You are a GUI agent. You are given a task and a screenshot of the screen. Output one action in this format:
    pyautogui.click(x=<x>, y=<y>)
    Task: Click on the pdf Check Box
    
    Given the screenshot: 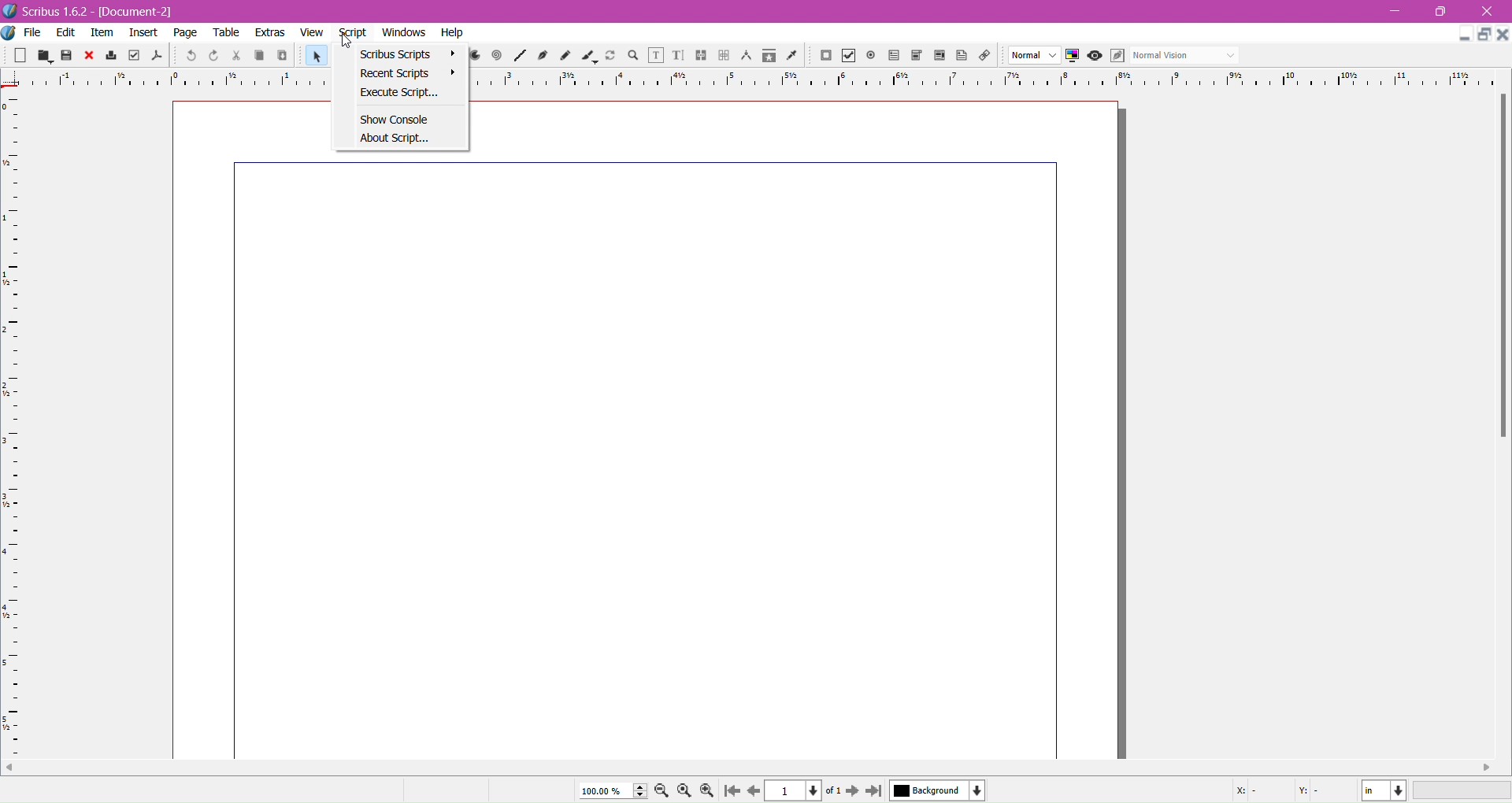 What is the action you would take?
    pyautogui.click(x=847, y=56)
    